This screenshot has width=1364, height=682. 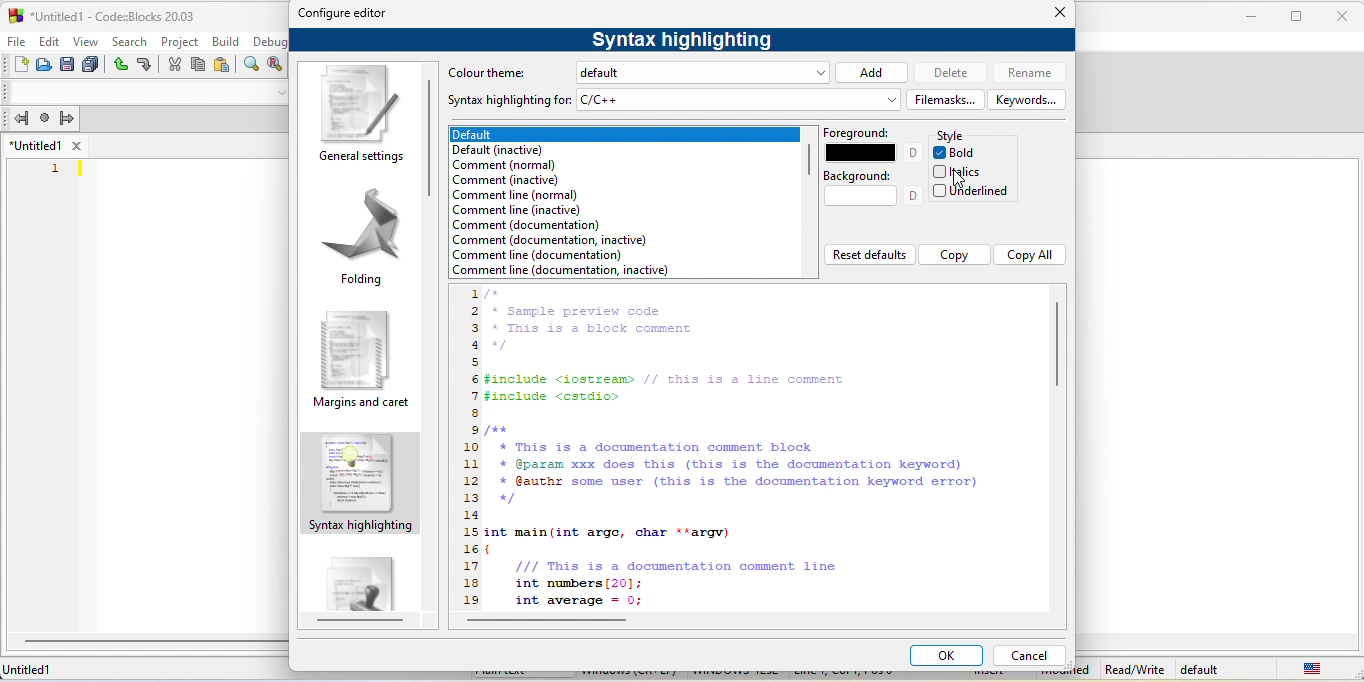 What do you see at coordinates (226, 42) in the screenshot?
I see `build` at bounding box center [226, 42].